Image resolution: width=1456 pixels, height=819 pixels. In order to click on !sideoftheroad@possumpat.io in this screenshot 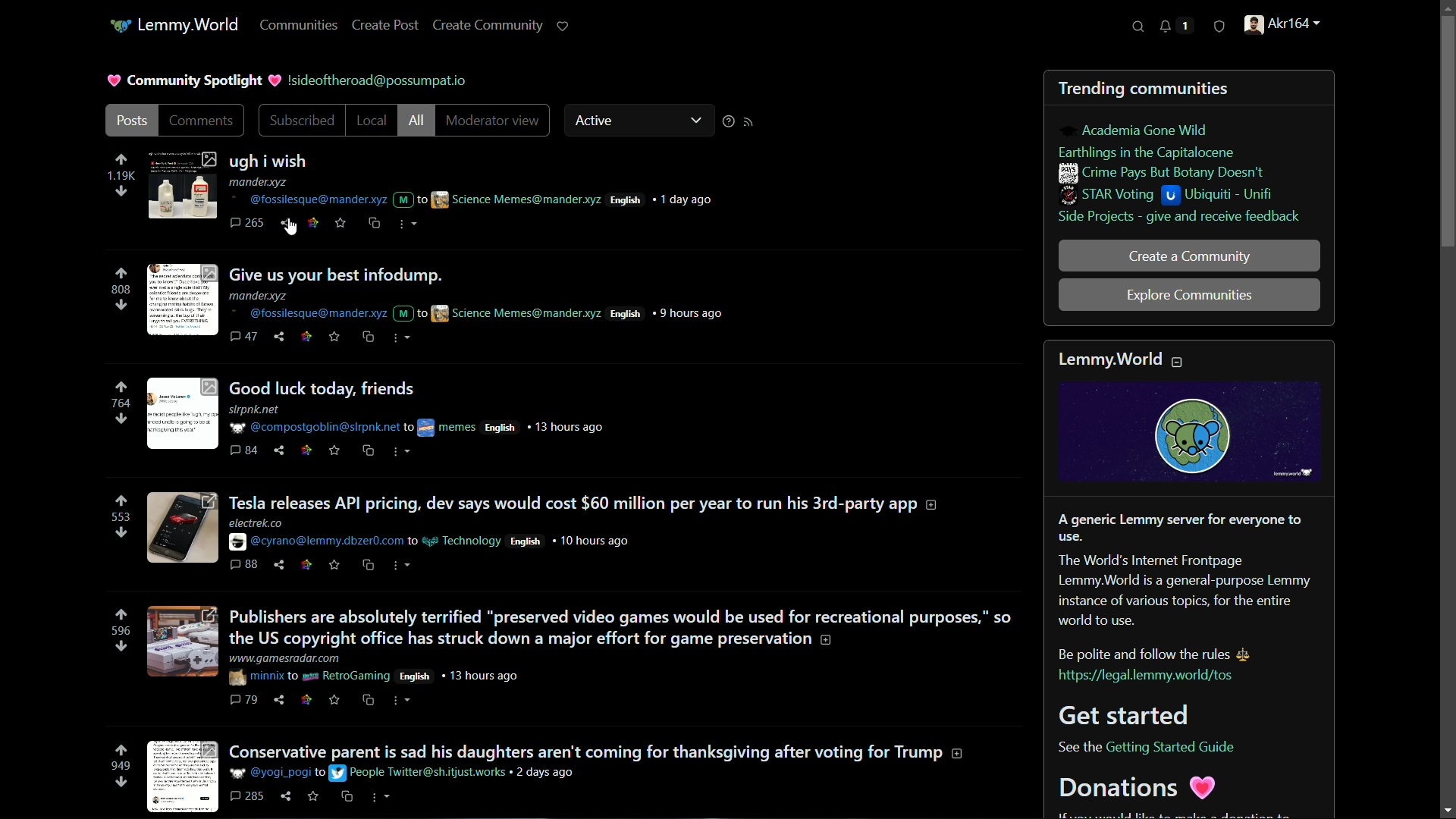, I will do `click(383, 80)`.